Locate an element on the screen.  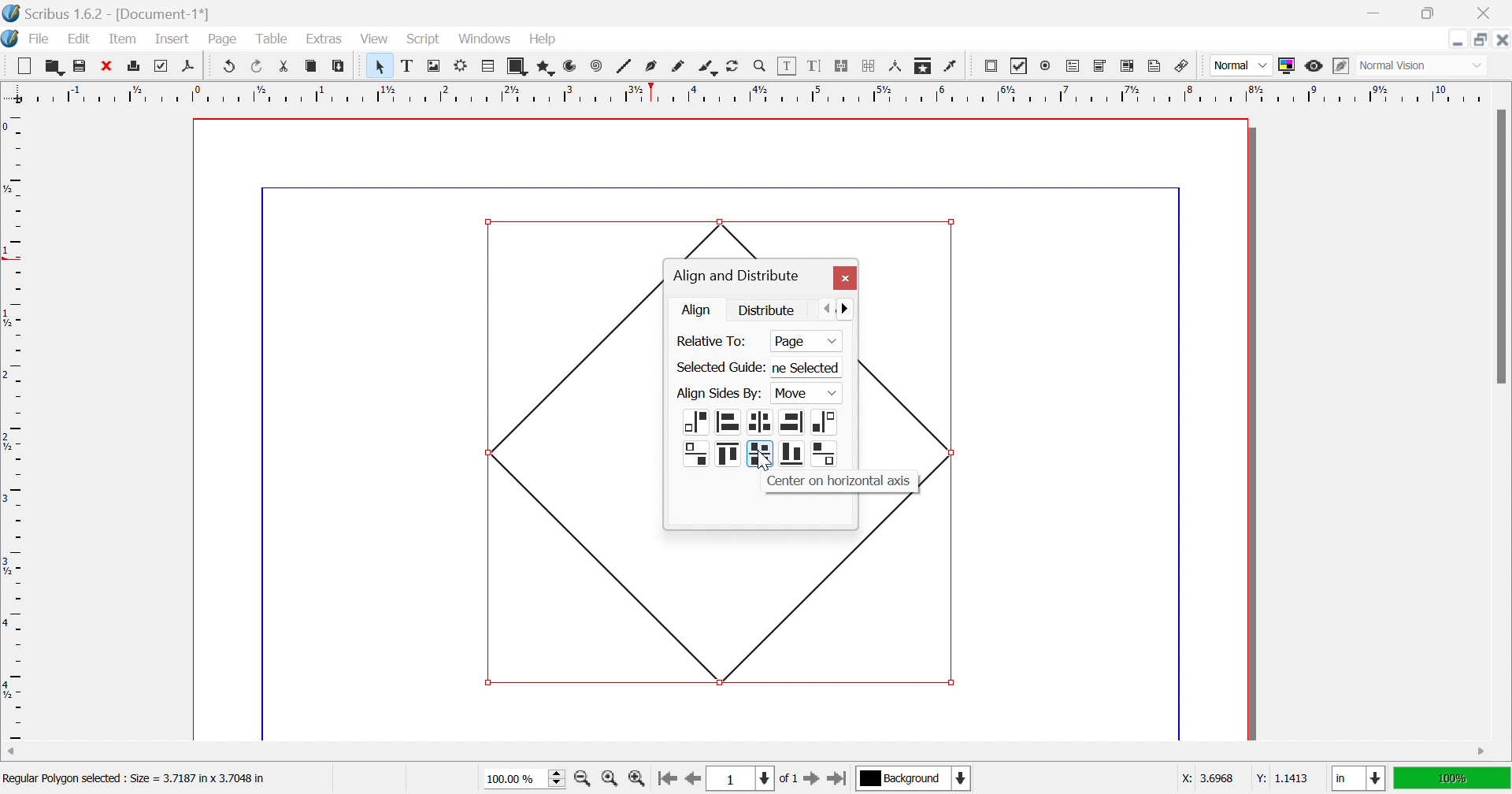
Save as PDF is located at coordinates (192, 67).